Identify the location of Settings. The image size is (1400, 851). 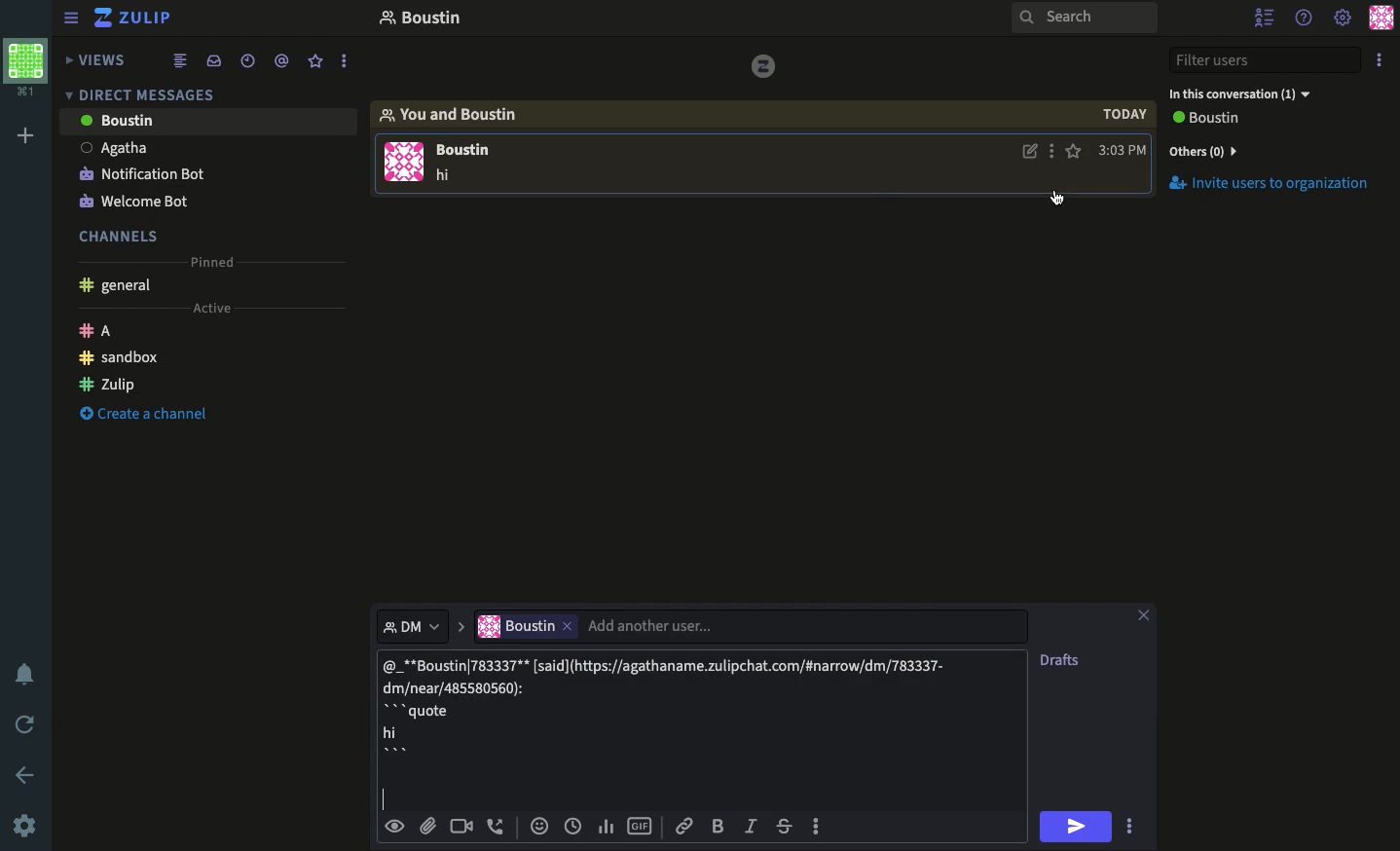
(27, 825).